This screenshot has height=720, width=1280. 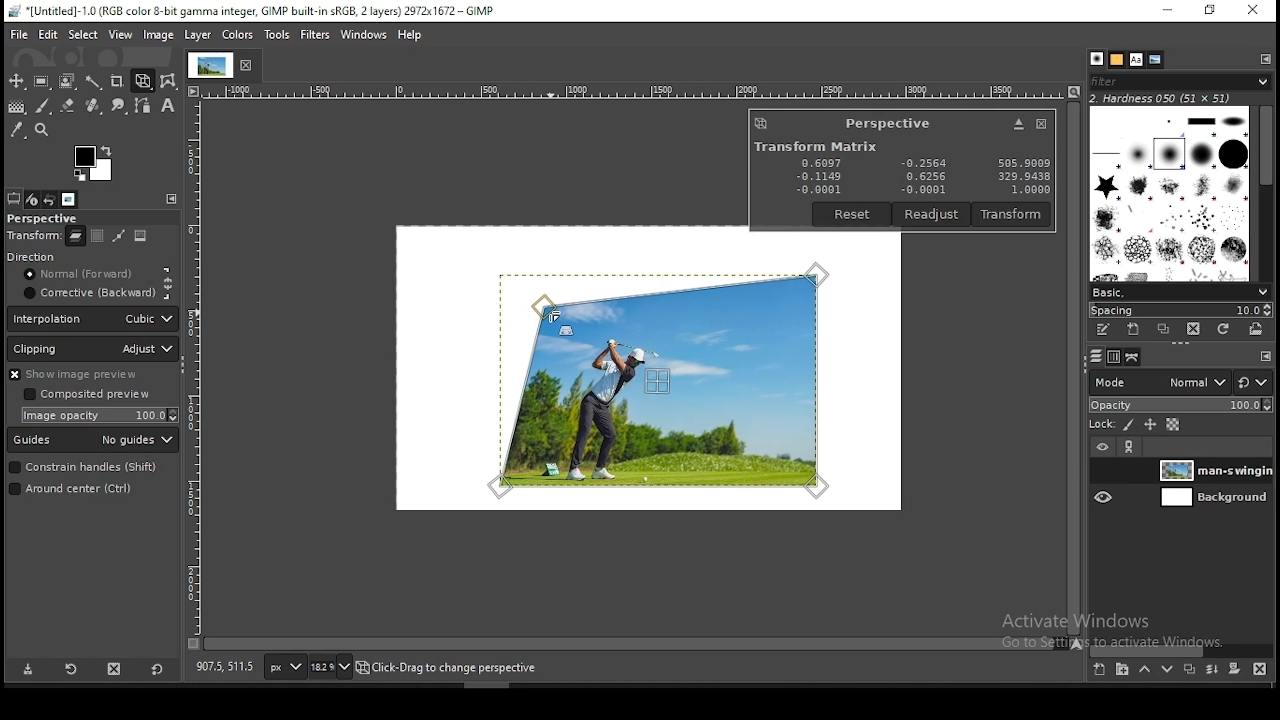 I want to click on image, so click(x=158, y=35).